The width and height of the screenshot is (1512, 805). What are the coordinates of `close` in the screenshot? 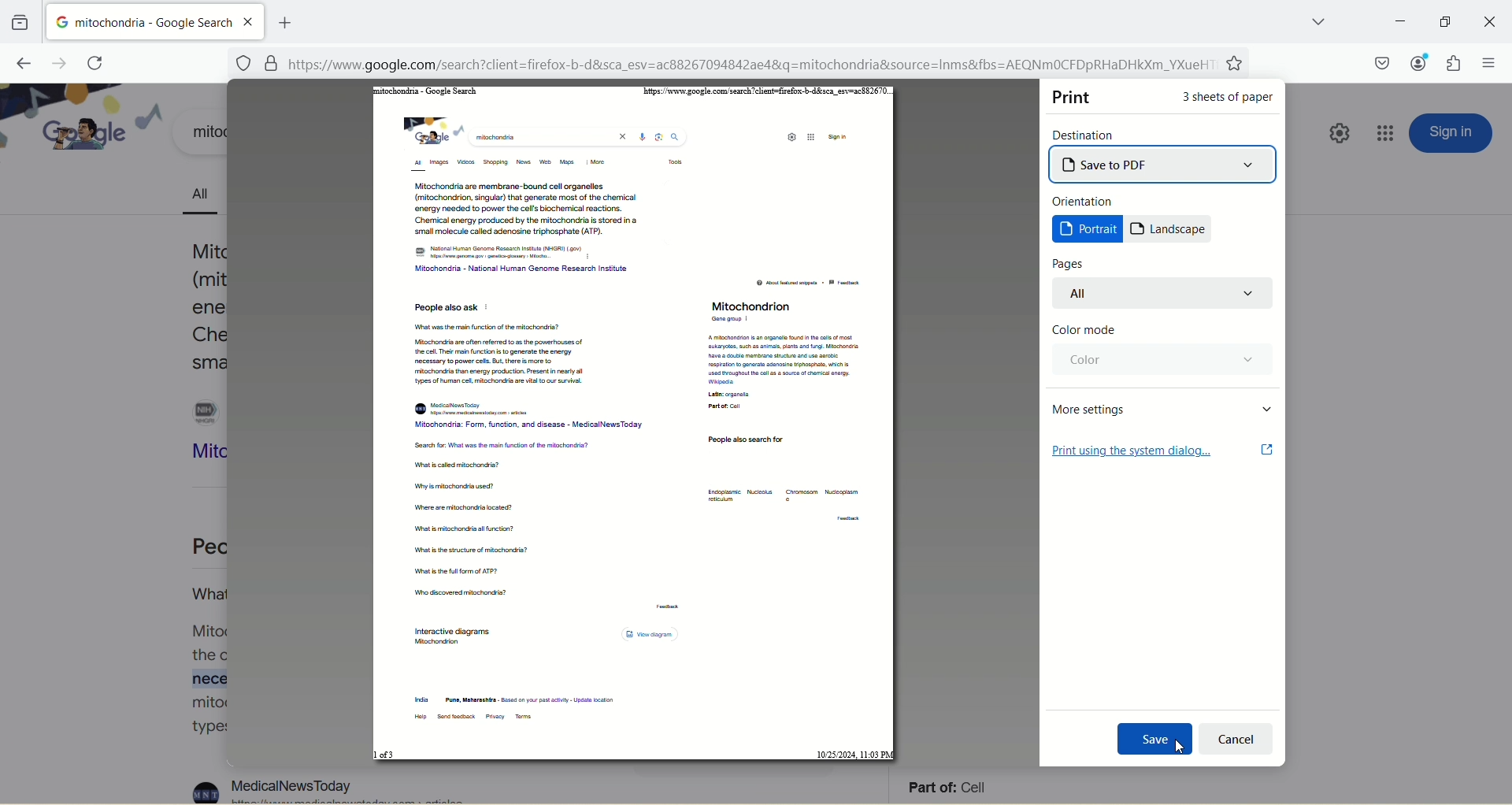 It's located at (1487, 21).